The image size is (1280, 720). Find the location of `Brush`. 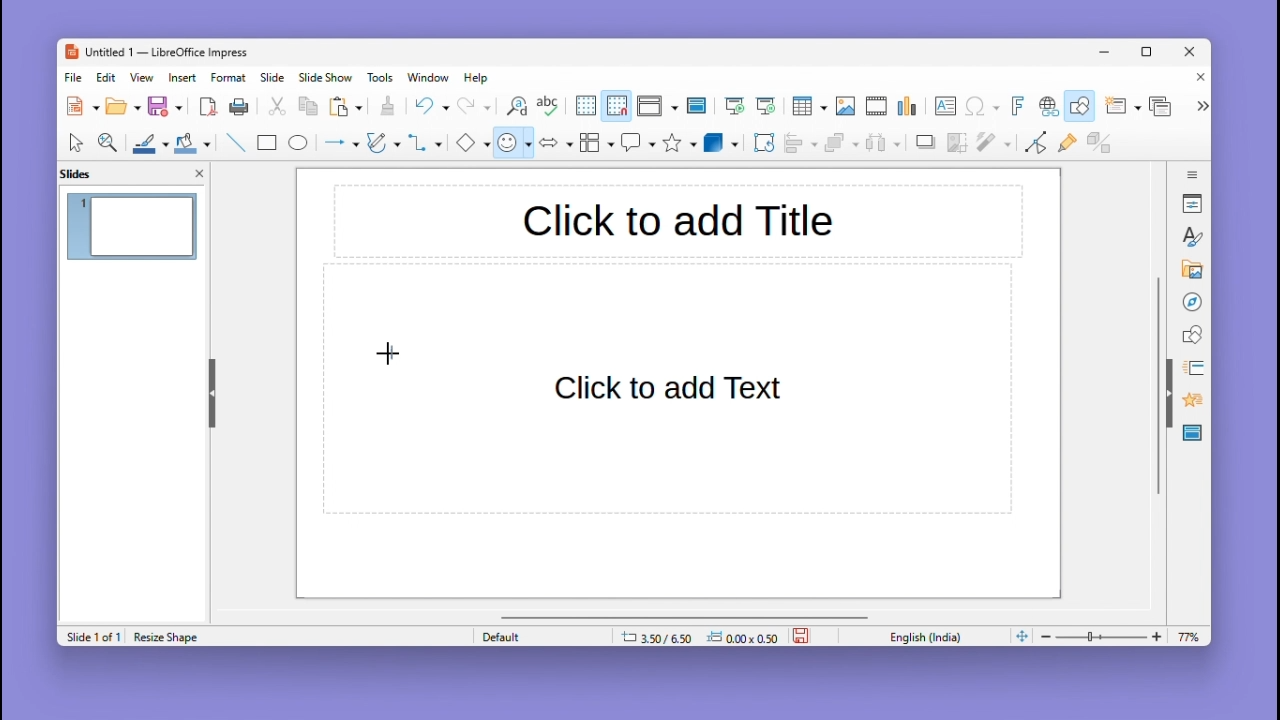

Brush is located at coordinates (145, 140).